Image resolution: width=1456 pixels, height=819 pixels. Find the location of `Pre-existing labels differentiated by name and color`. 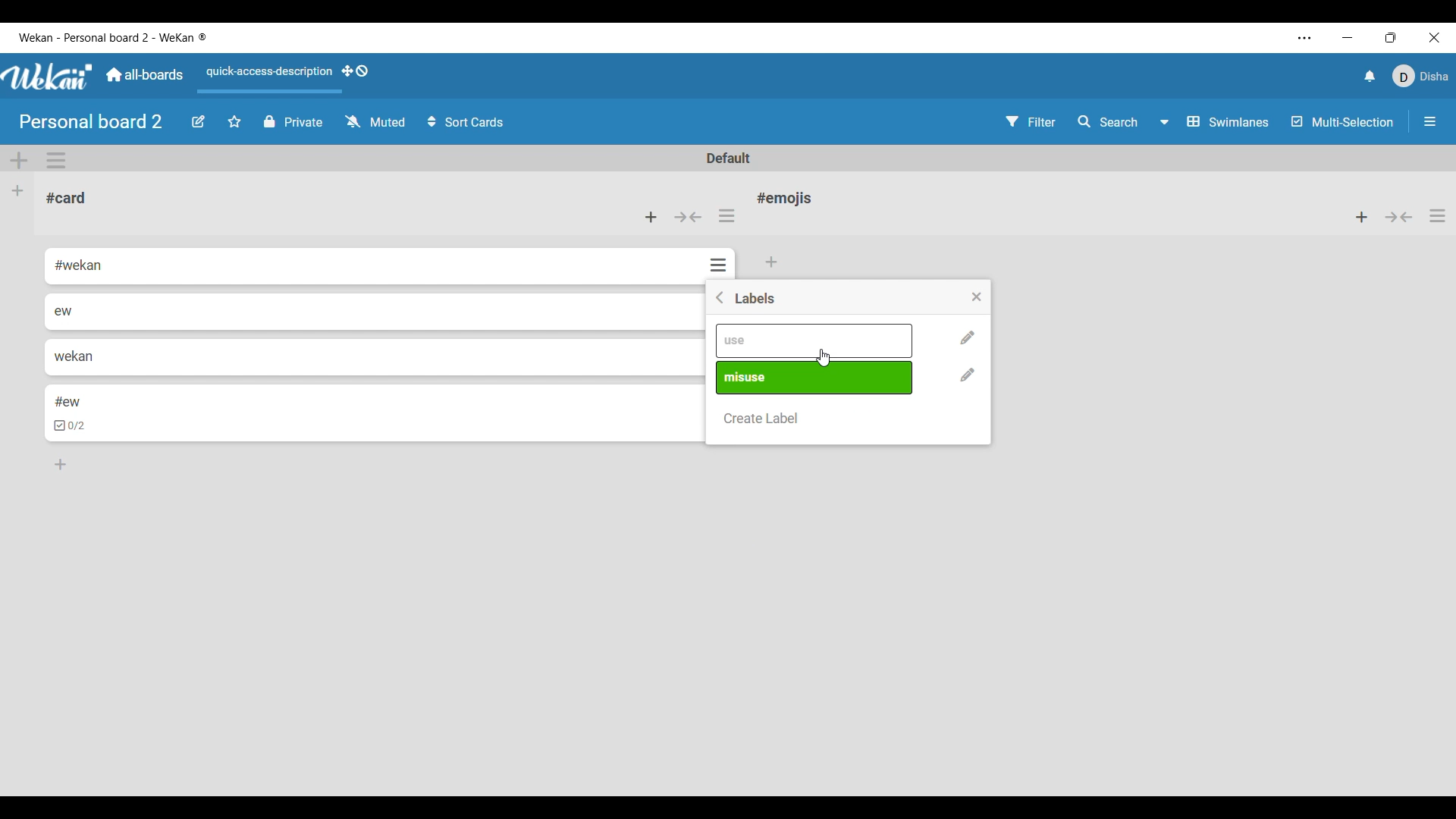

Pre-existing labels differentiated by name and color is located at coordinates (816, 378).